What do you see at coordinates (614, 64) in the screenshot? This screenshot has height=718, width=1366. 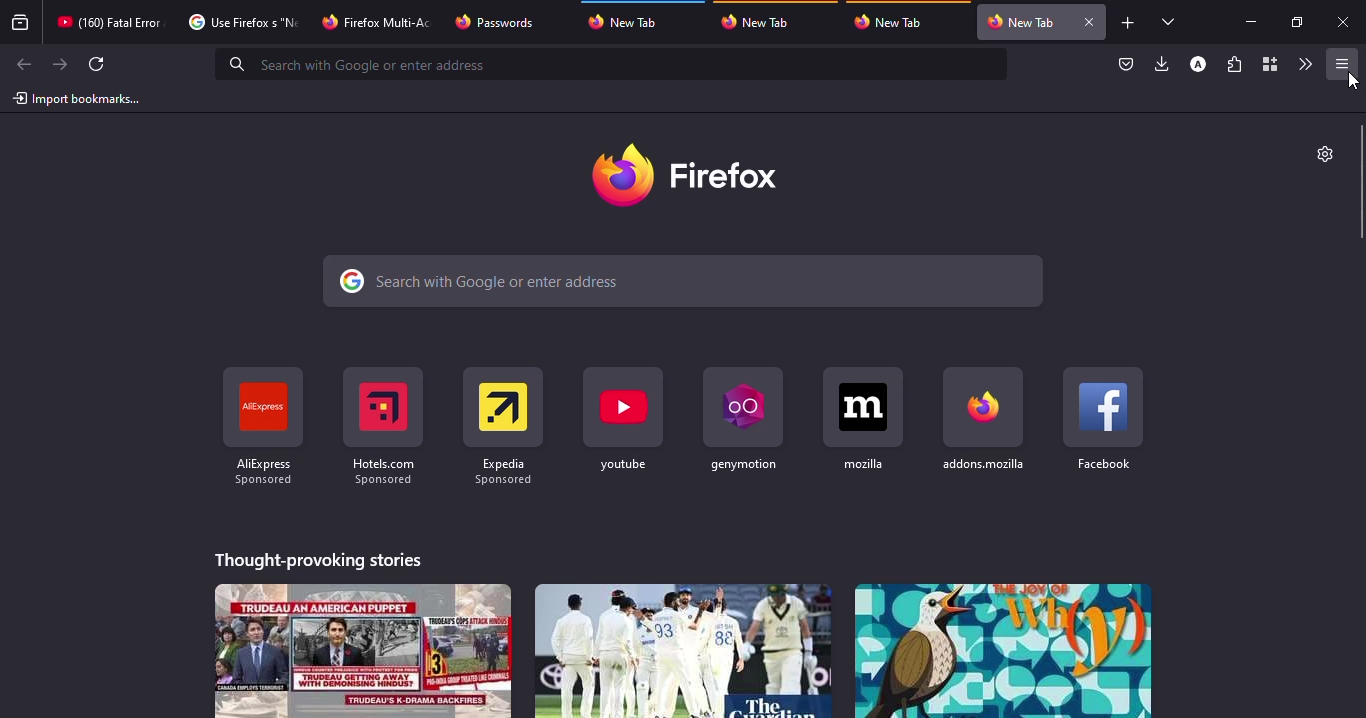 I see `search` at bounding box center [614, 64].